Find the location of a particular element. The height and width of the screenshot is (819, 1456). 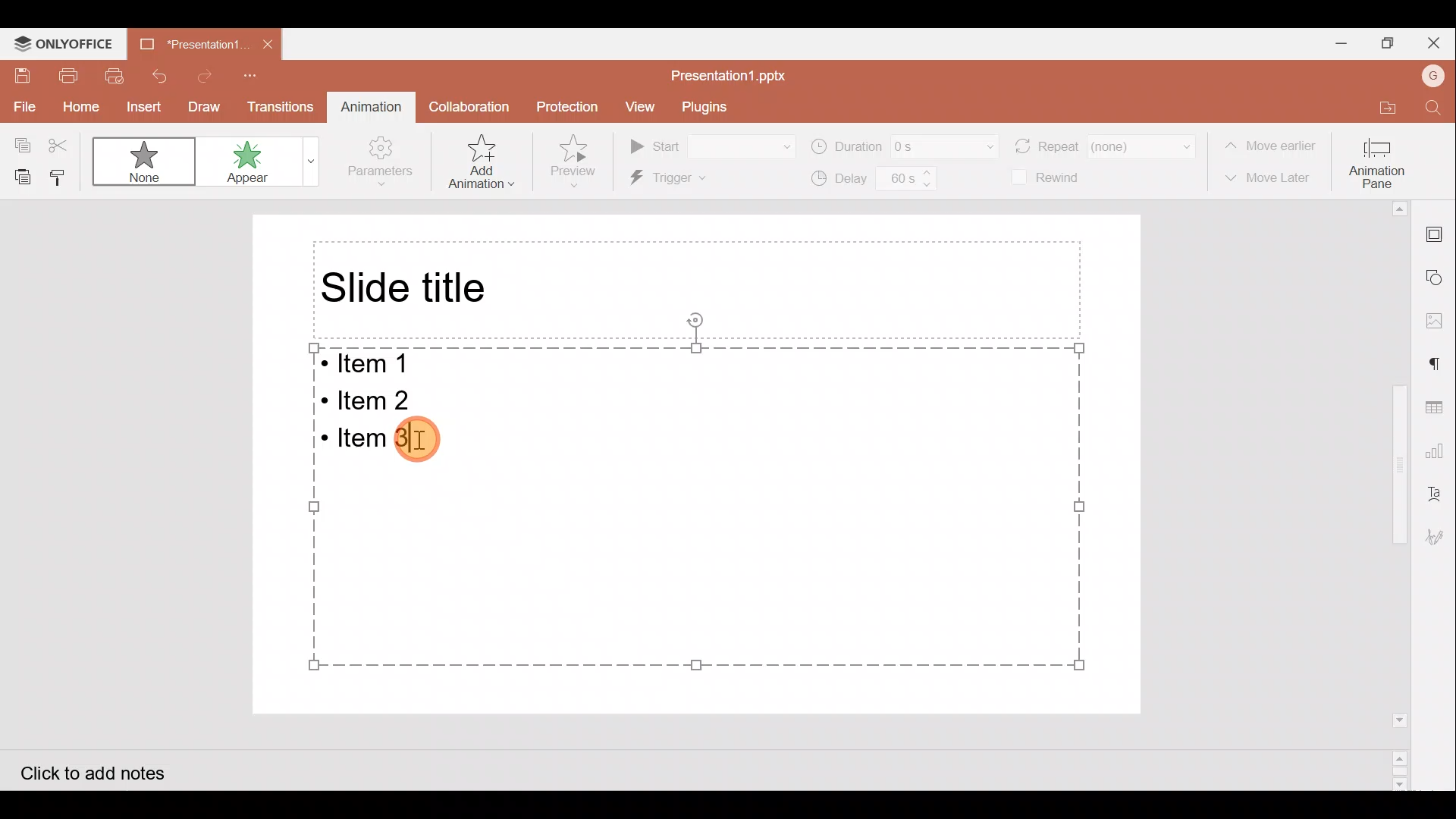

Parameters is located at coordinates (385, 162).